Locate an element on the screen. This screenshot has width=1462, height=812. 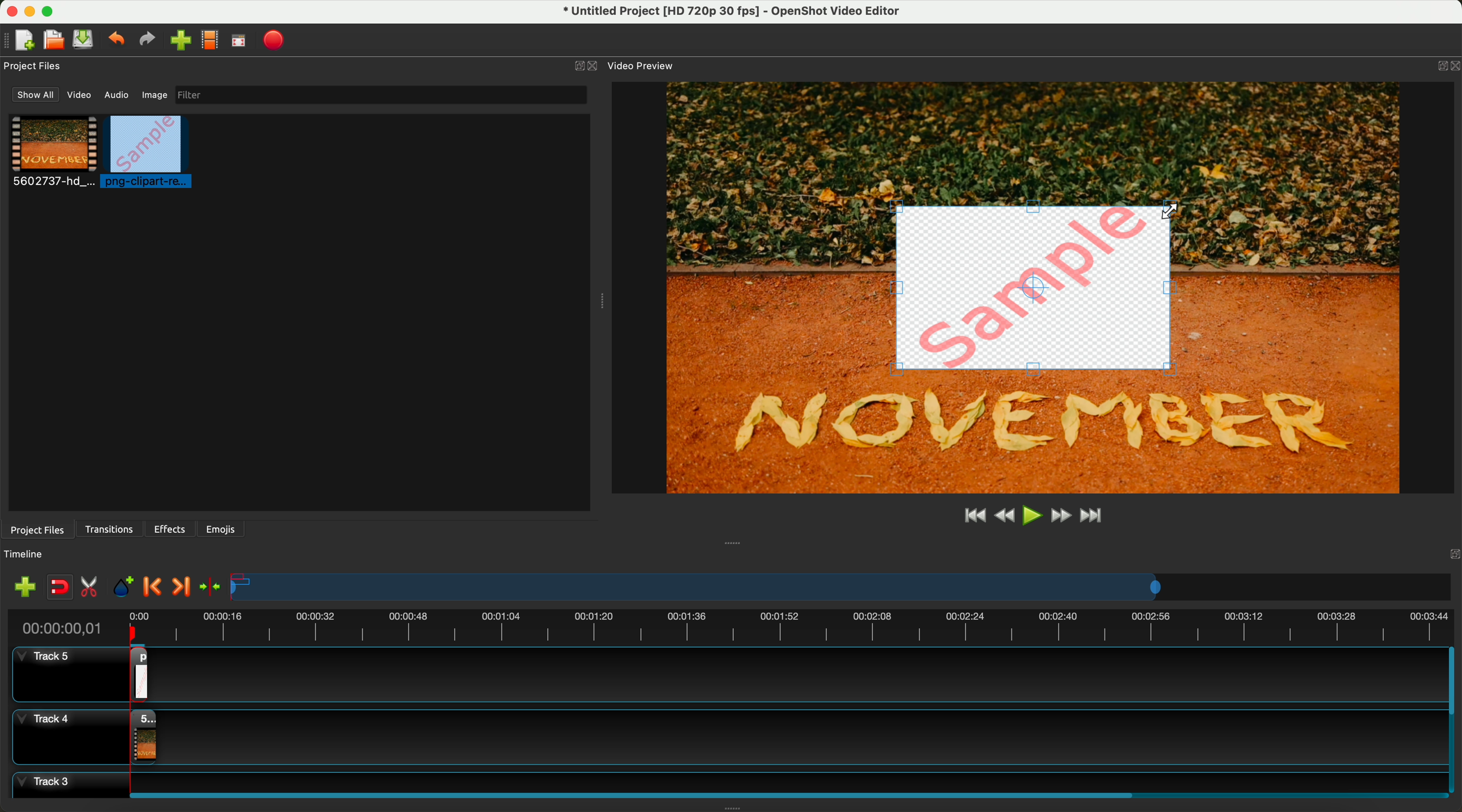
scroll bar is located at coordinates (783, 793).